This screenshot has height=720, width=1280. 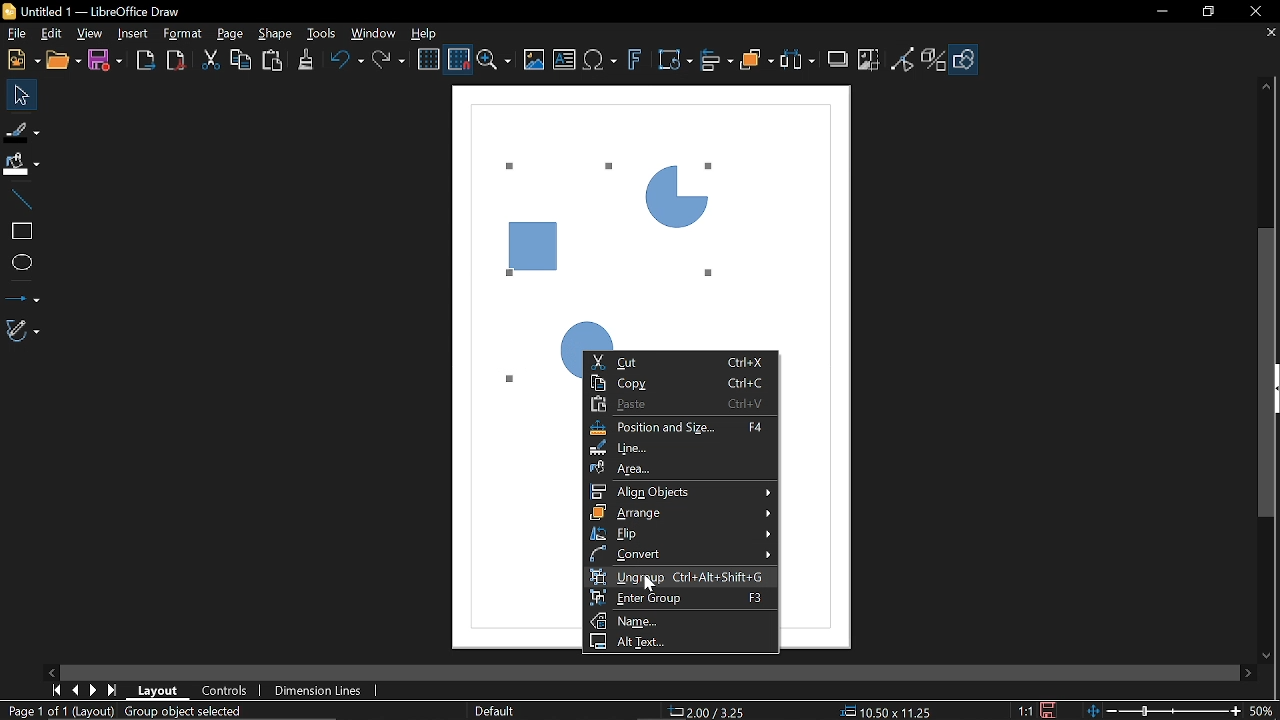 I want to click on vertical scrollbar, so click(x=1270, y=373).